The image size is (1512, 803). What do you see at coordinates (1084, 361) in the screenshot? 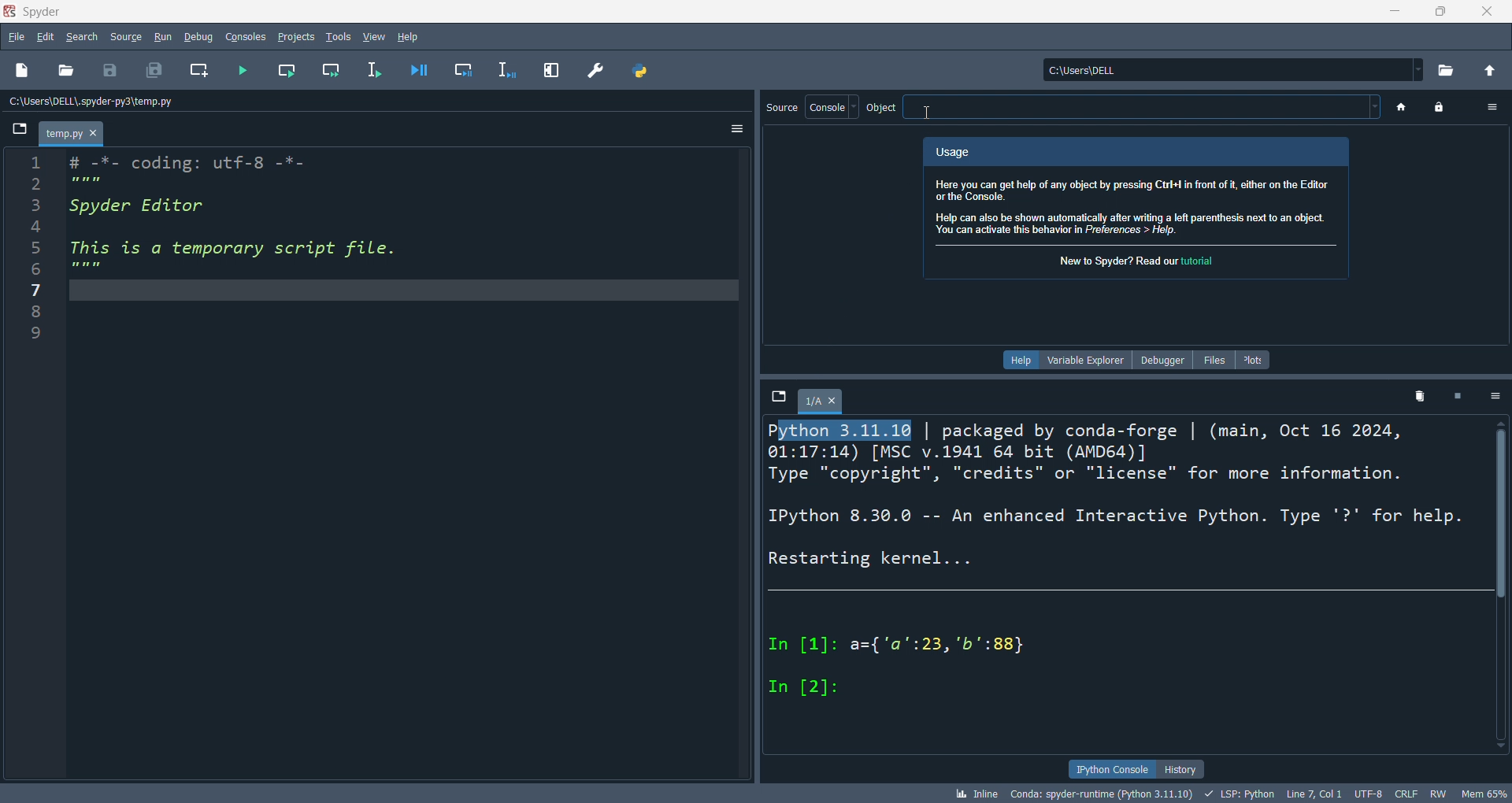
I see `variable explorer` at bounding box center [1084, 361].